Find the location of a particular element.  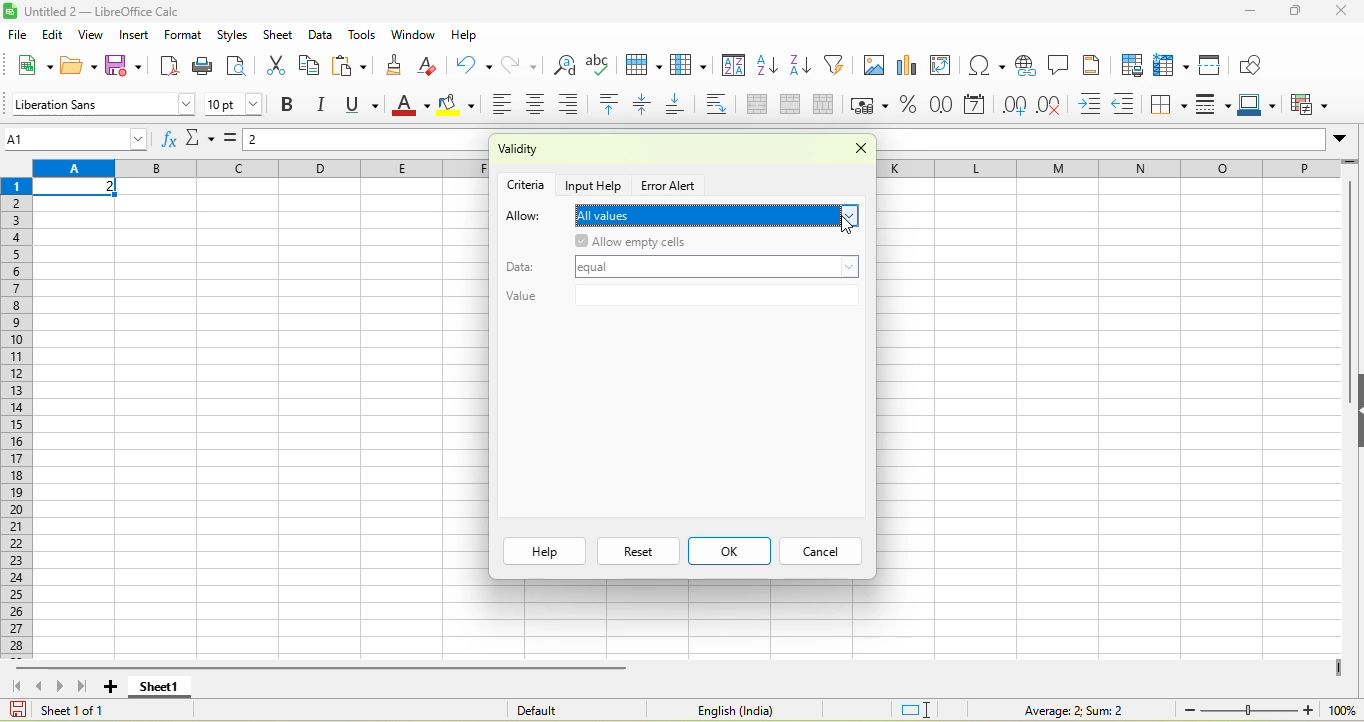

zoom percentage is located at coordinates (1342, 709).